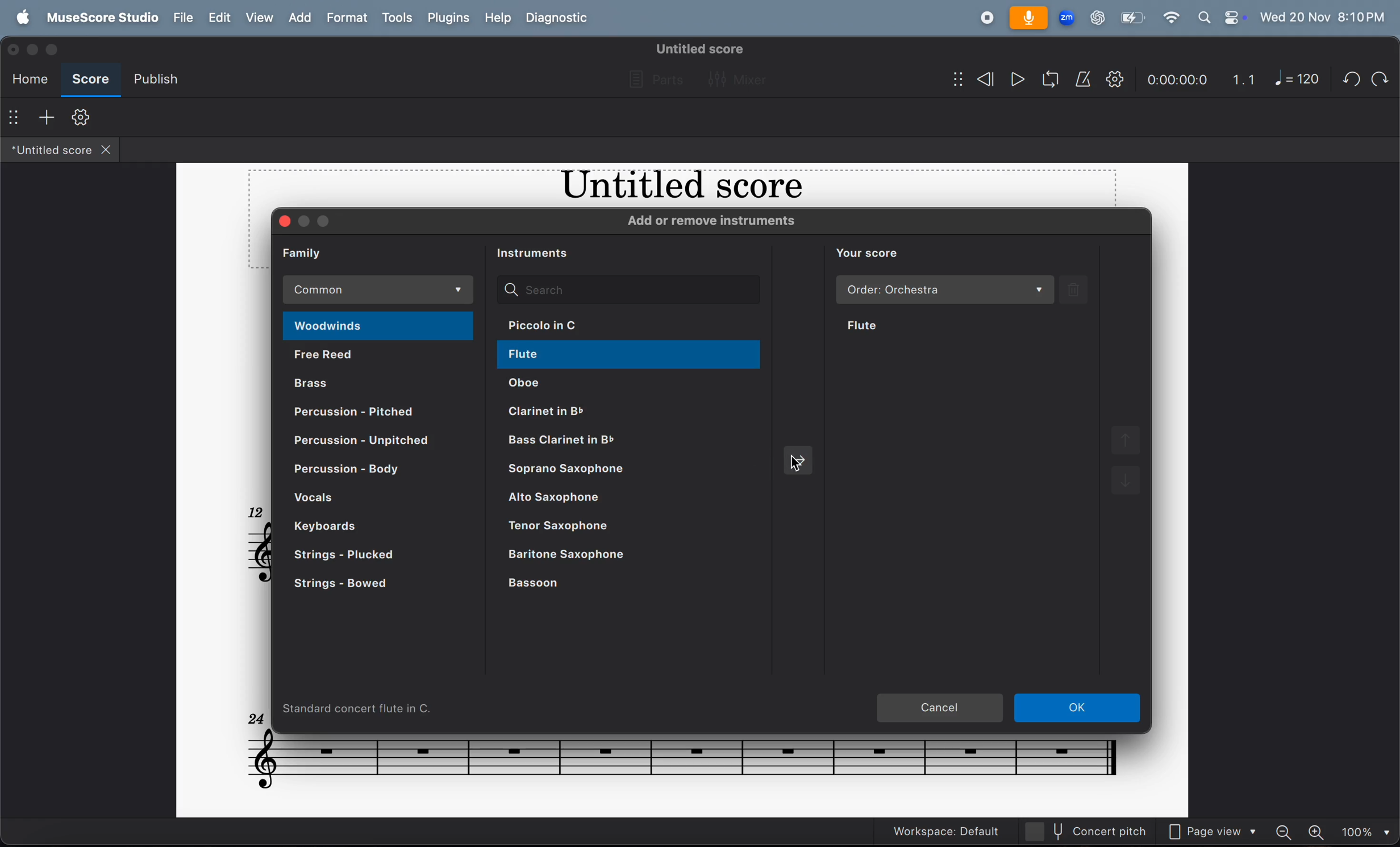 The width and height of the screenshot is (1400, 847). I want to click on oboe, so click(641, 386).